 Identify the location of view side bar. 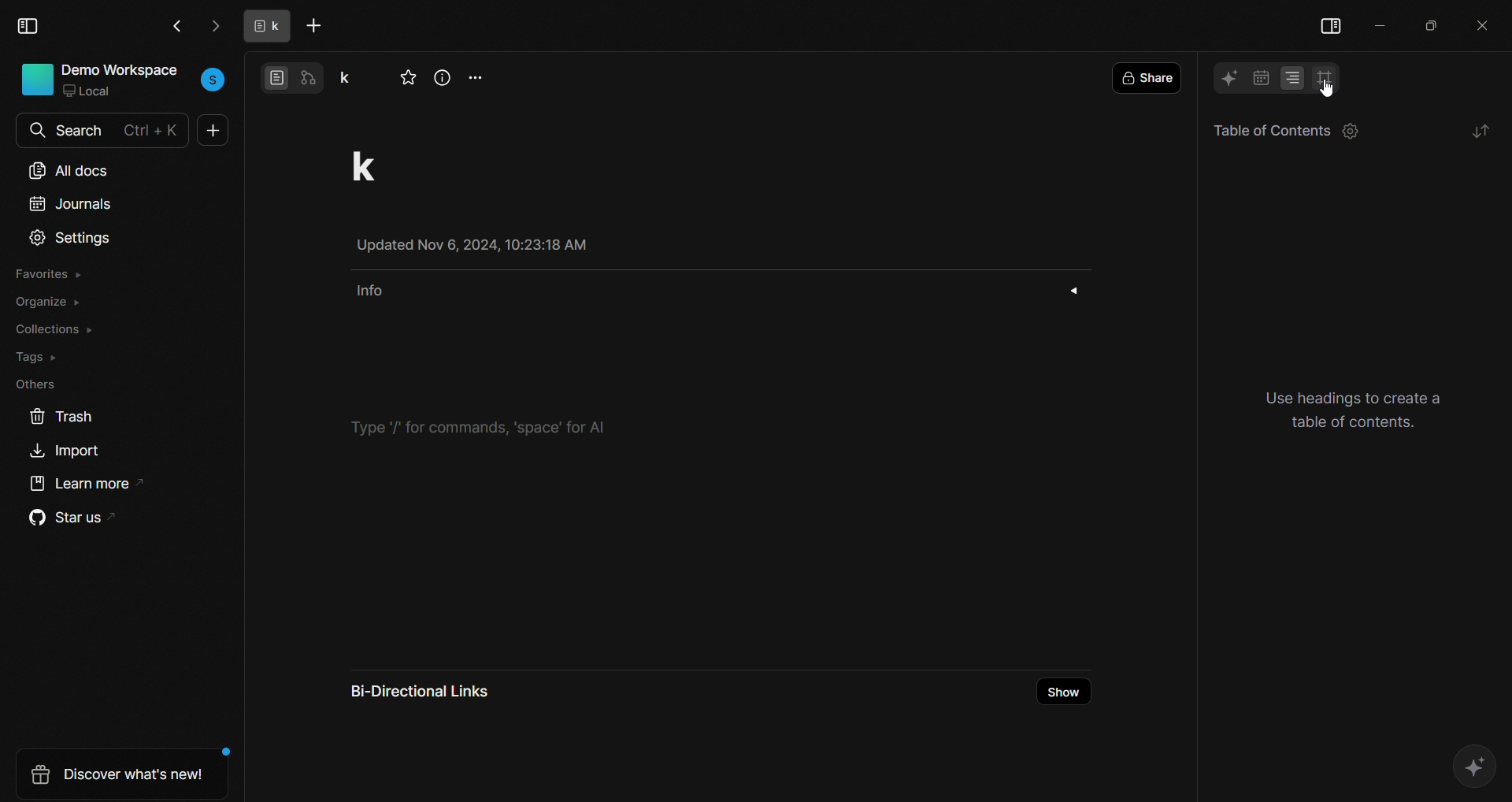
(1331, 22).